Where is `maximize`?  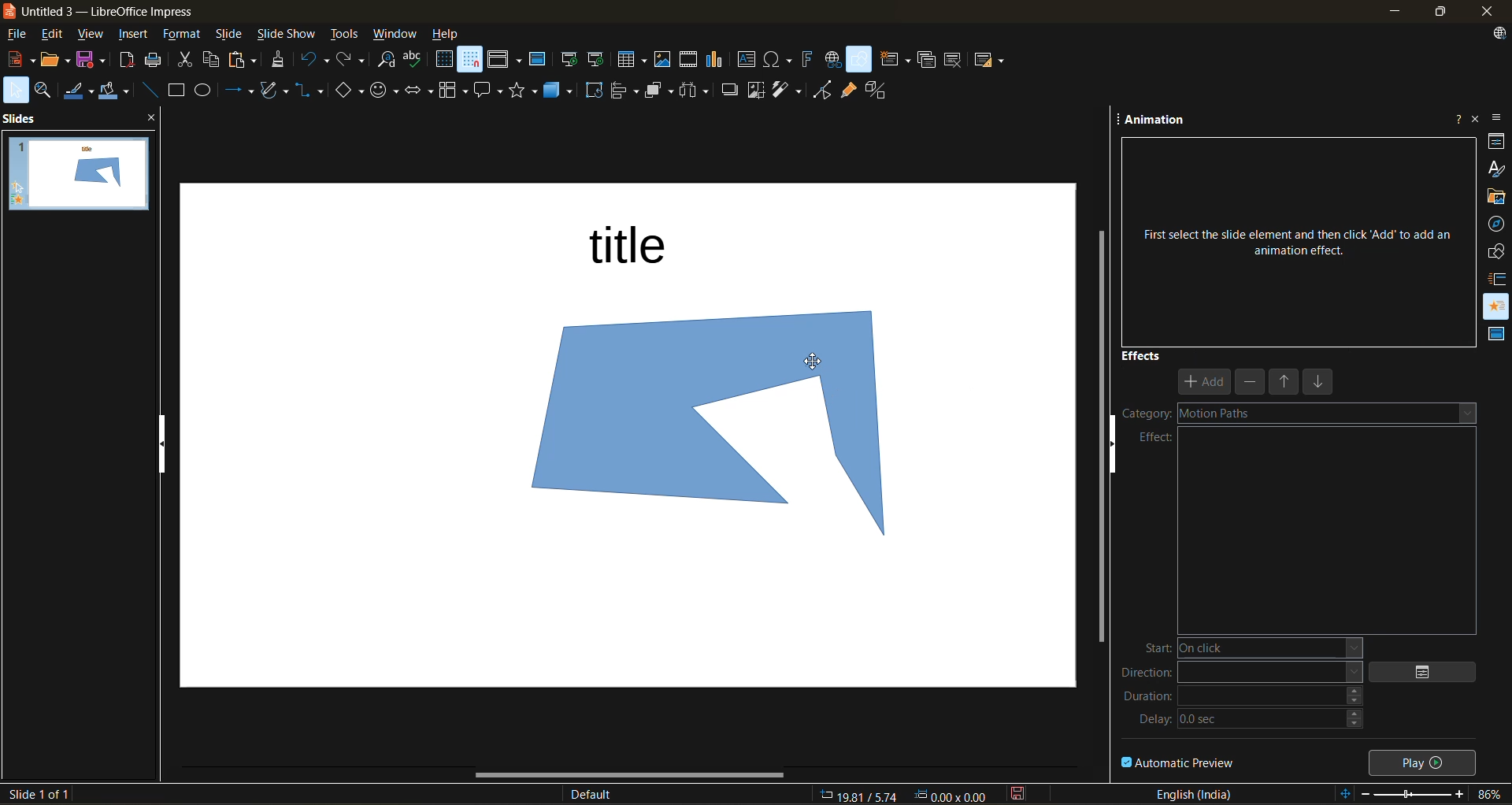 maximize is located at coordinates (1435, 13).